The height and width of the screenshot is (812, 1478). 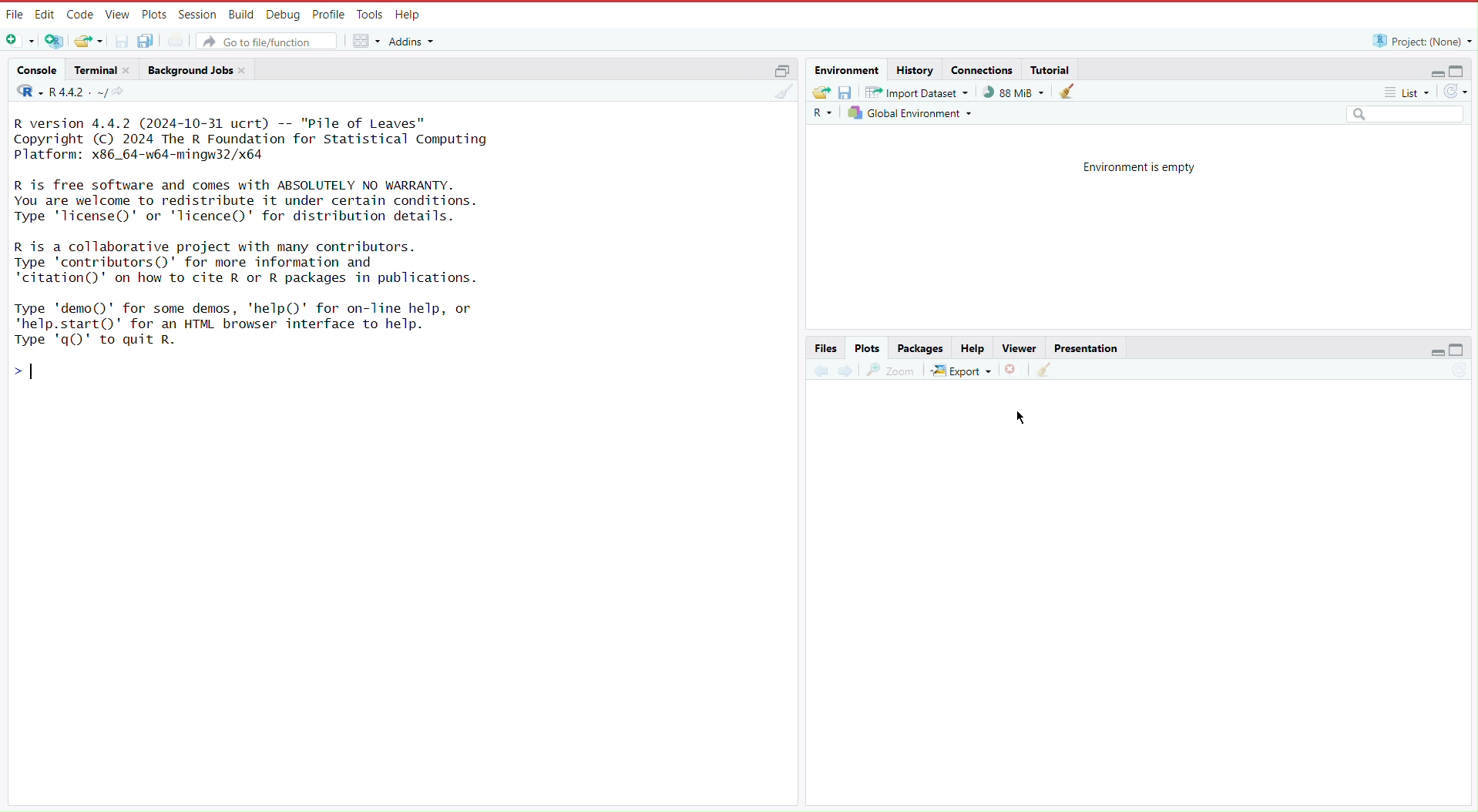 What do you see at coordinates (892, 367) in the screenshot?
I see `Zoom` at bounding box center [892, 367].